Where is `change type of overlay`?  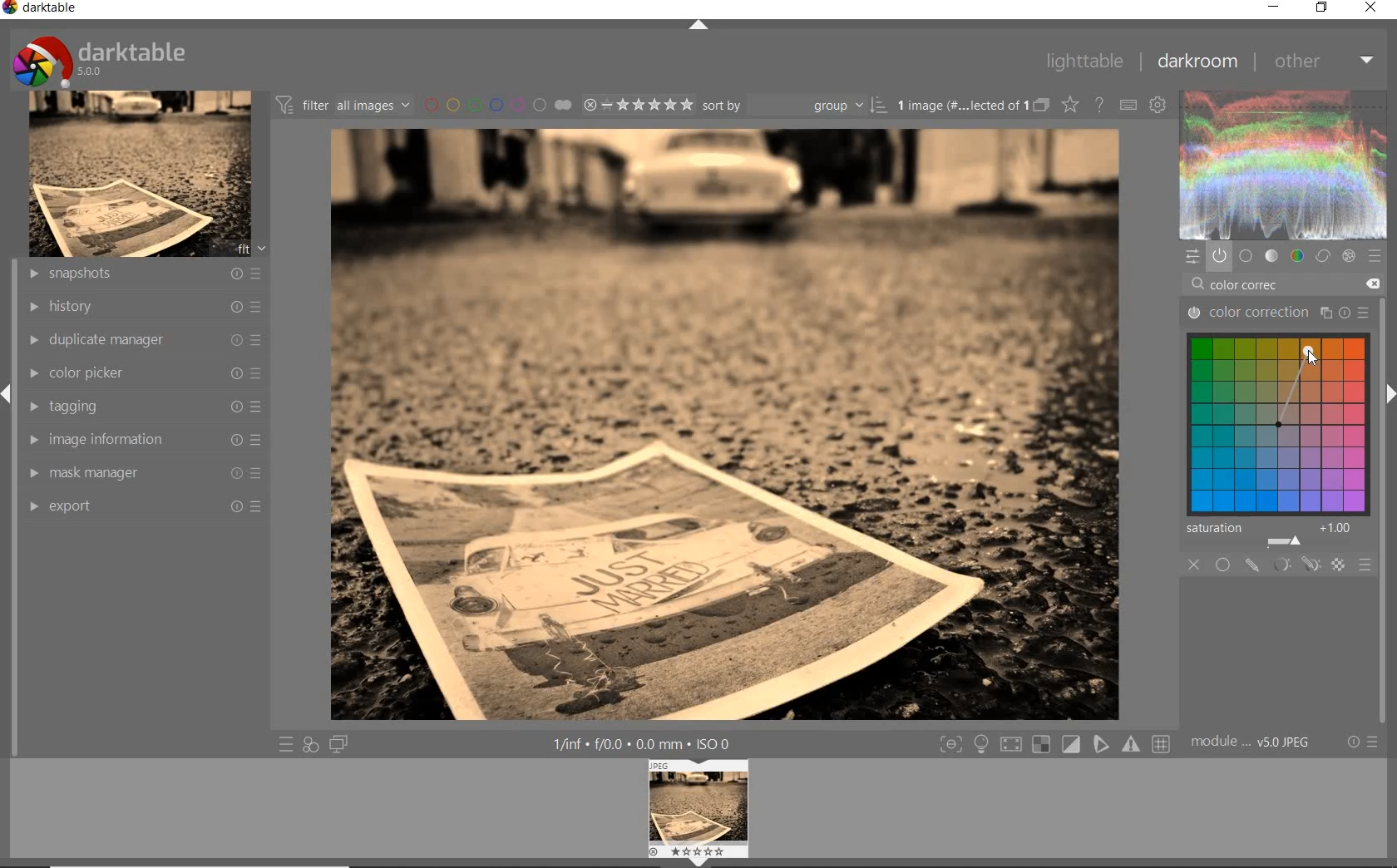 change type of overlay is located at coordinates (1069, 106).